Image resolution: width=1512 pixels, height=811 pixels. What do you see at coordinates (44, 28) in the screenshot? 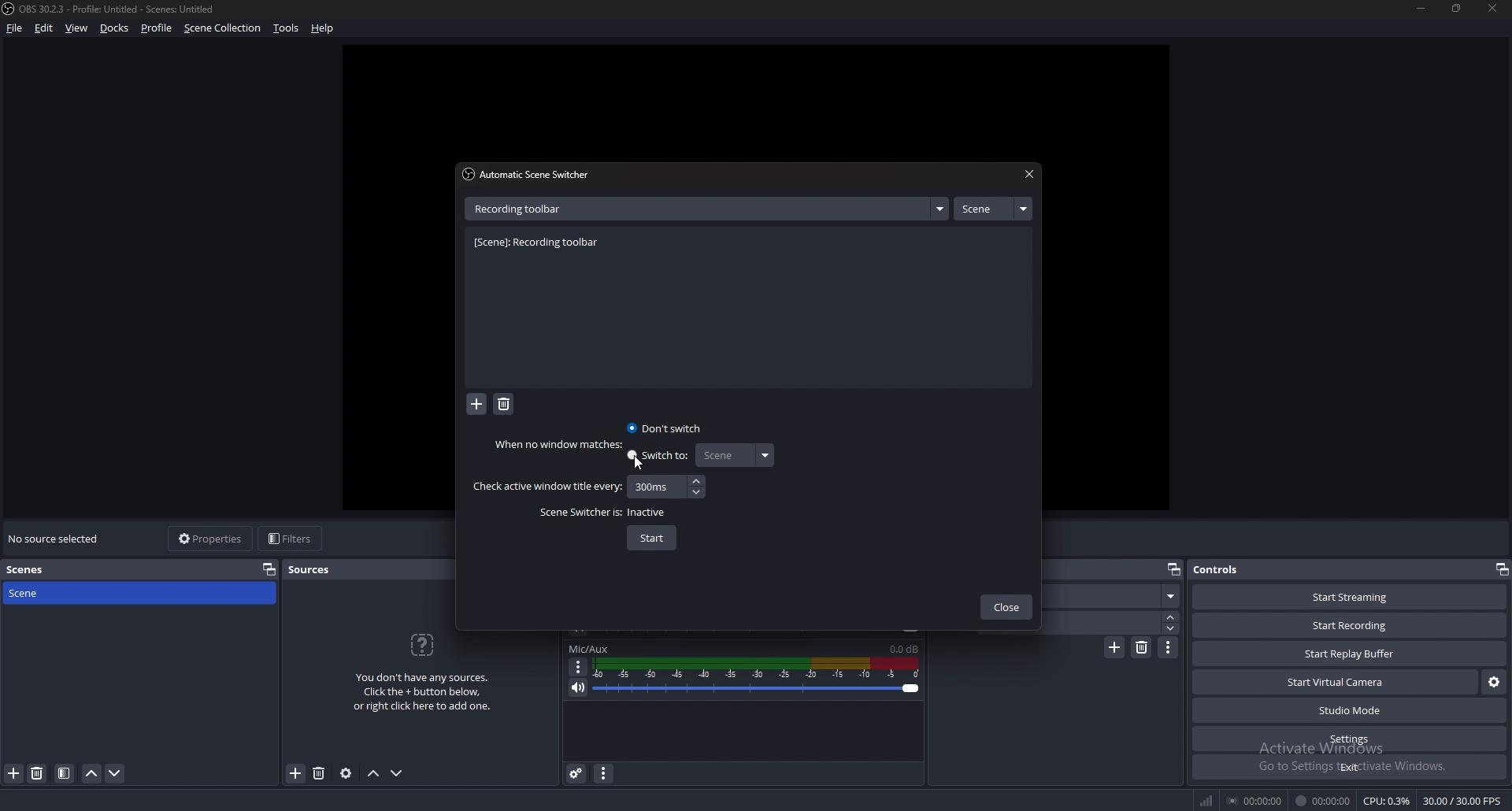
I see `edit` at bounding box center [44, 28].